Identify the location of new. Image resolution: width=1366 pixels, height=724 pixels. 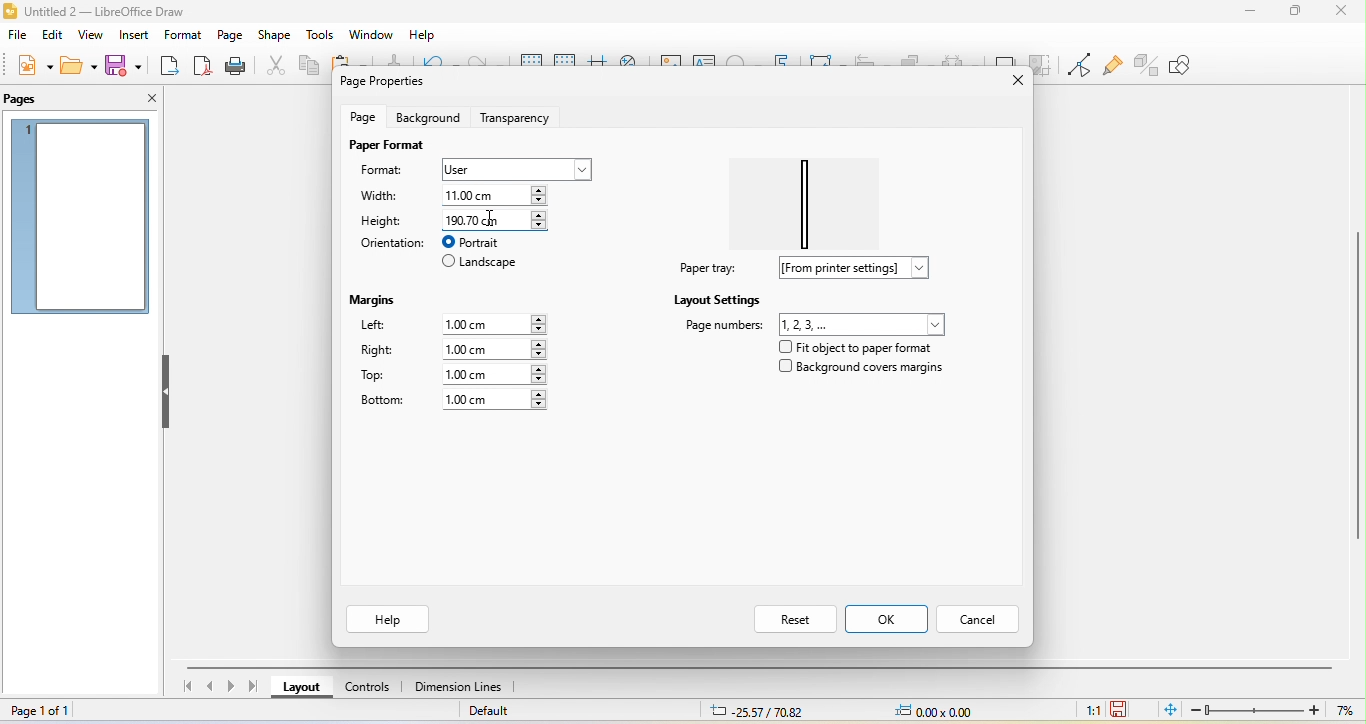
(32, 66).